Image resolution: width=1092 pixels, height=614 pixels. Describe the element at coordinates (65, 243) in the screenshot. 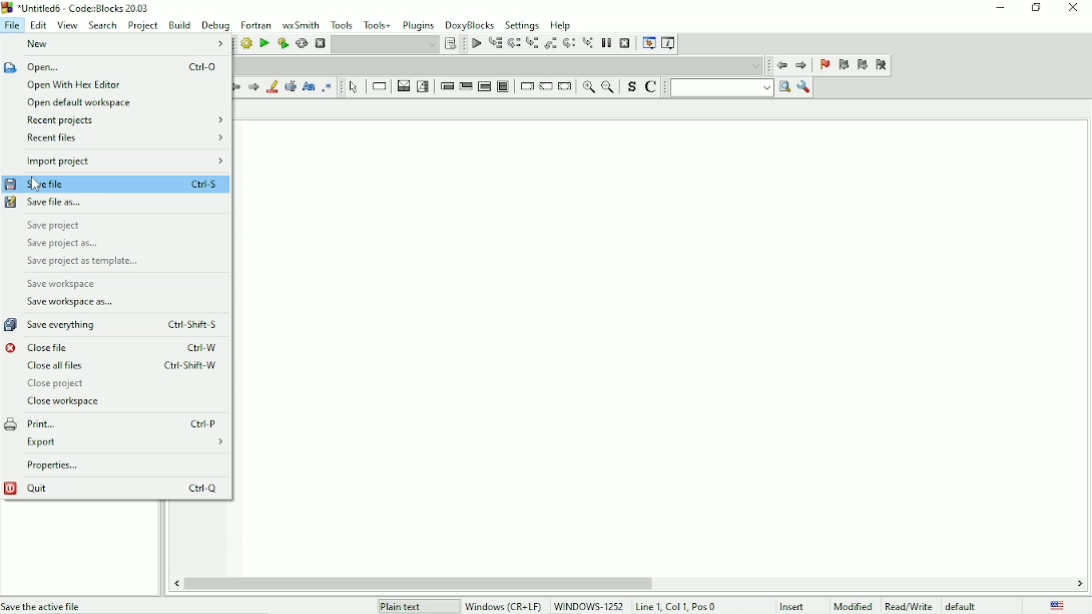

I see `Save project as` at that location.